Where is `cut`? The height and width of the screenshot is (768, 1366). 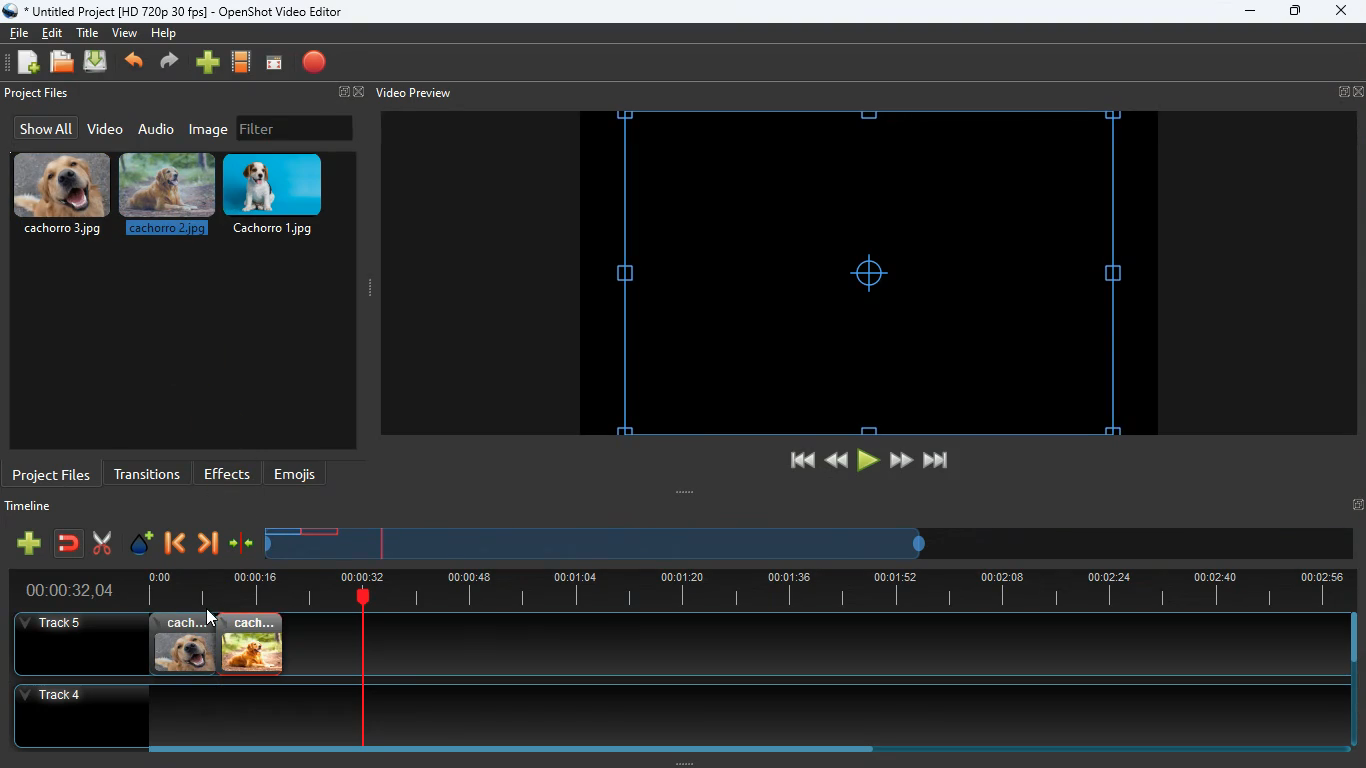
cut is located at coordinates (102, 543).